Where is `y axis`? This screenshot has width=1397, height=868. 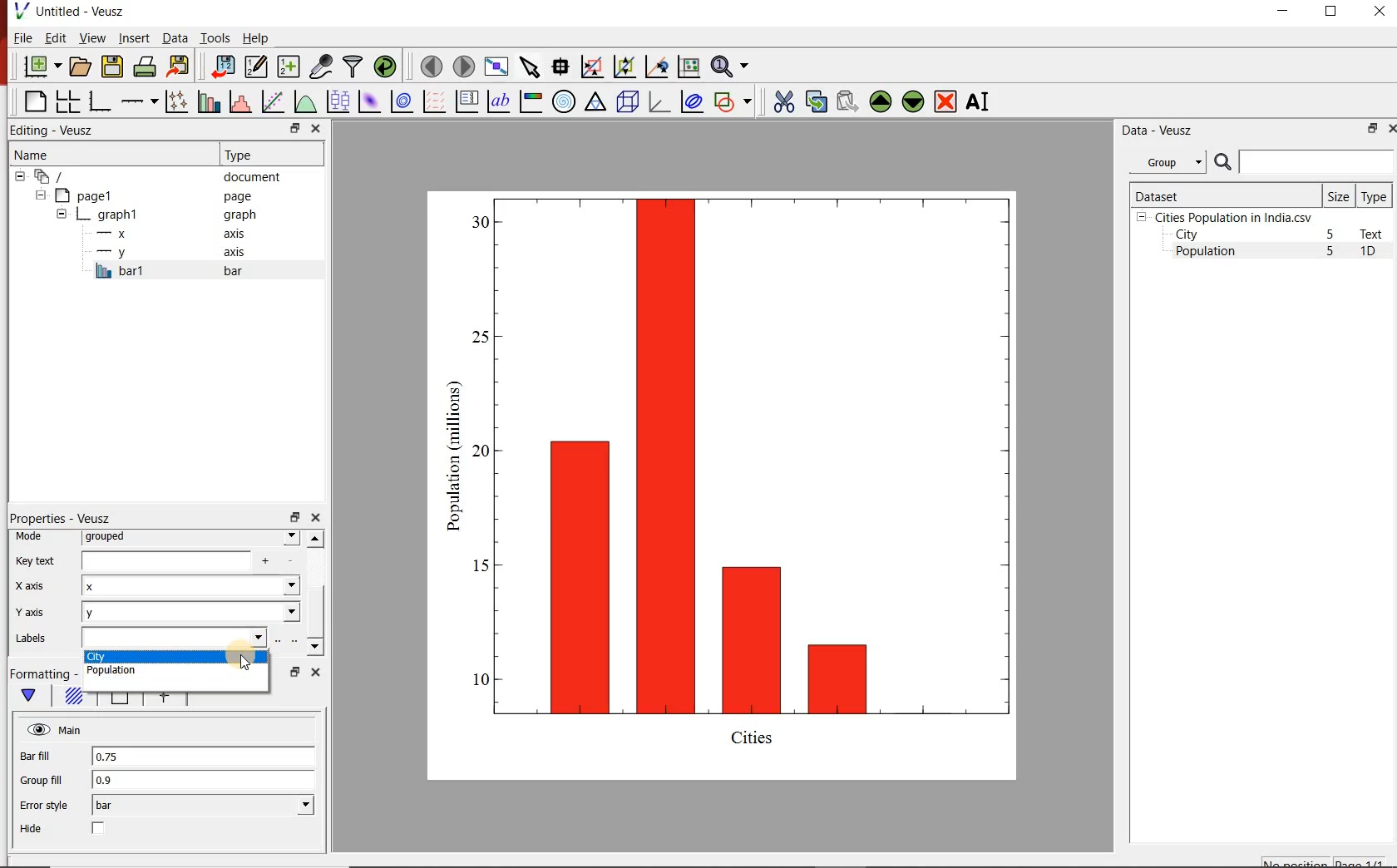 y axis is located at coordinates (41, 612).